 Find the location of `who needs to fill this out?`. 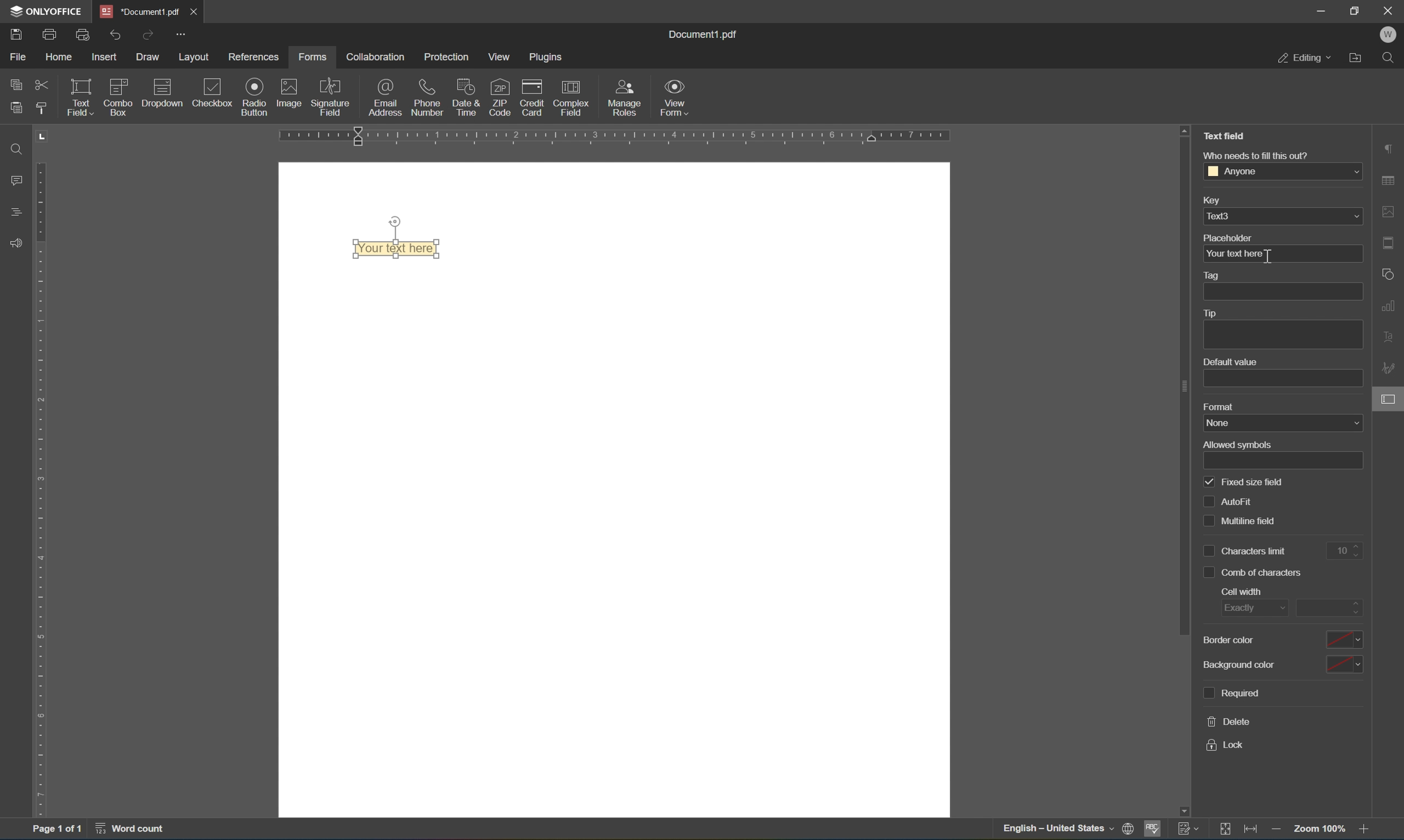

who needs to fill this out? is located at coordinates (1263, 153).